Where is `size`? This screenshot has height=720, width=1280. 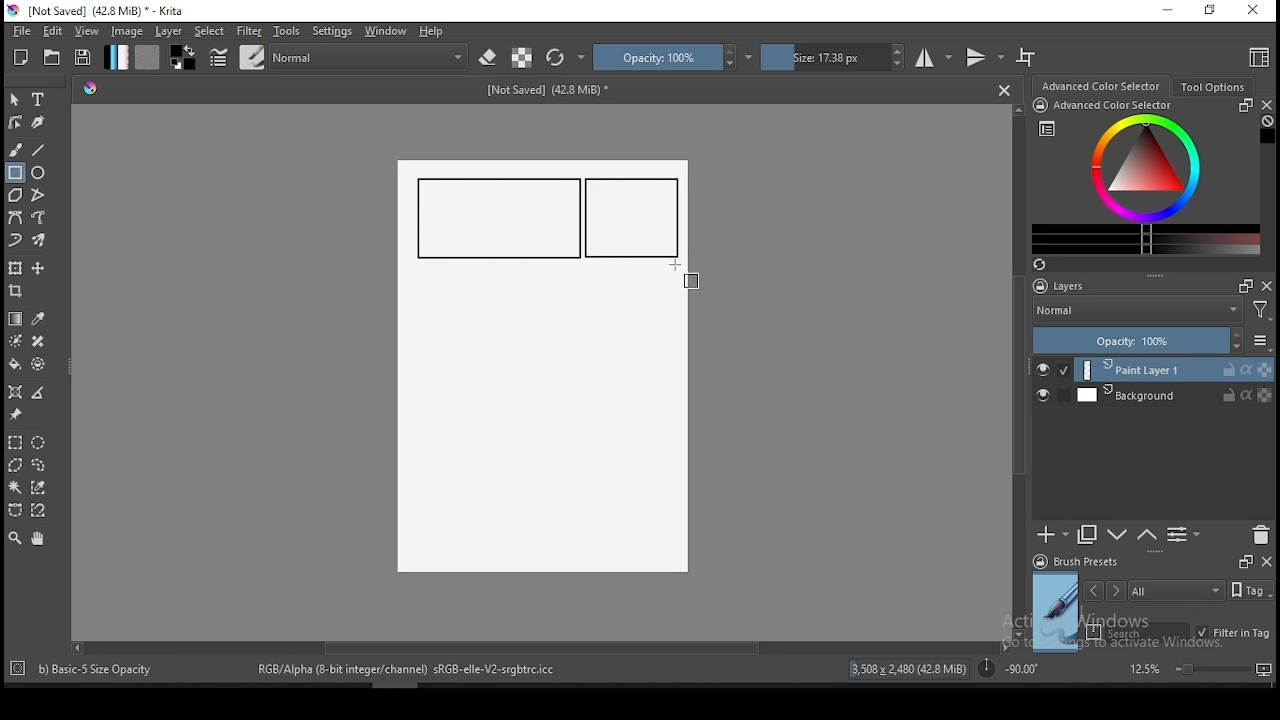 size is located at coordinates (833, 57).